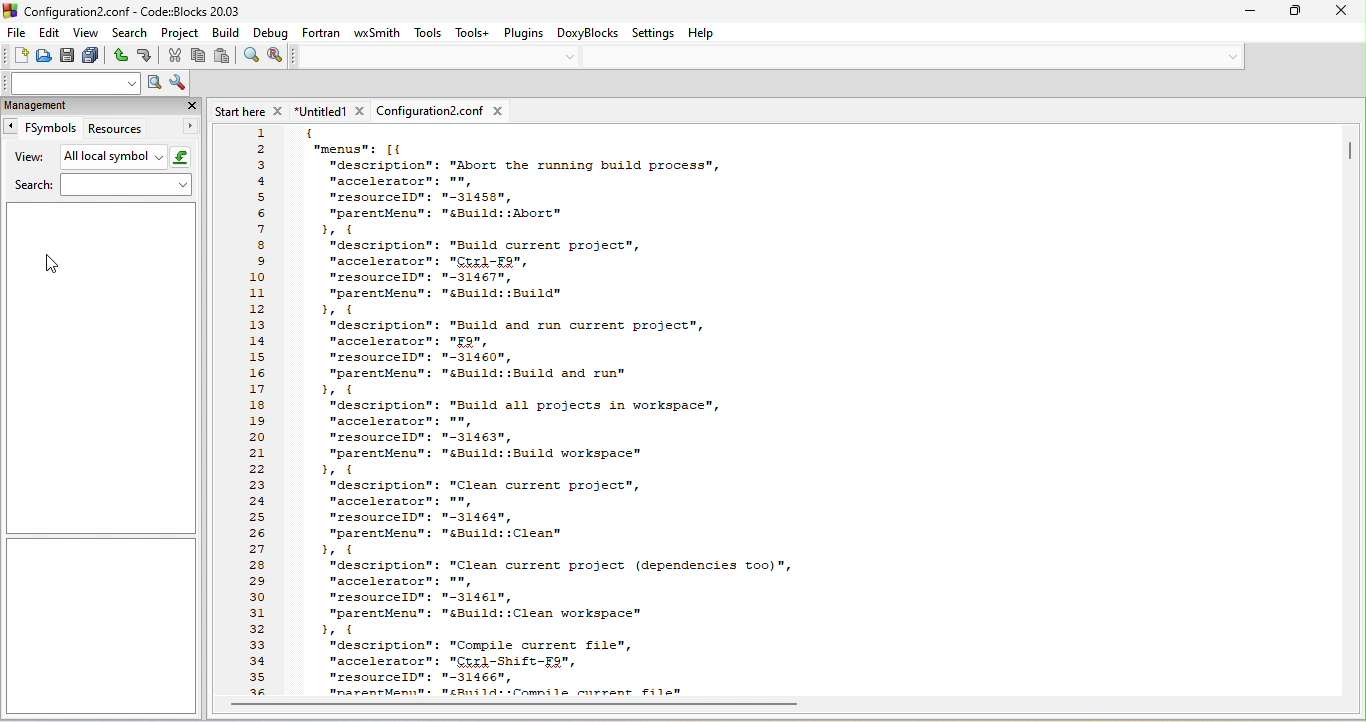 This screenshot has width=1366, height=722. What do you see at coordinates (269, 33) in the screenshot?
I see `debug` at bounding box center [269, 33].